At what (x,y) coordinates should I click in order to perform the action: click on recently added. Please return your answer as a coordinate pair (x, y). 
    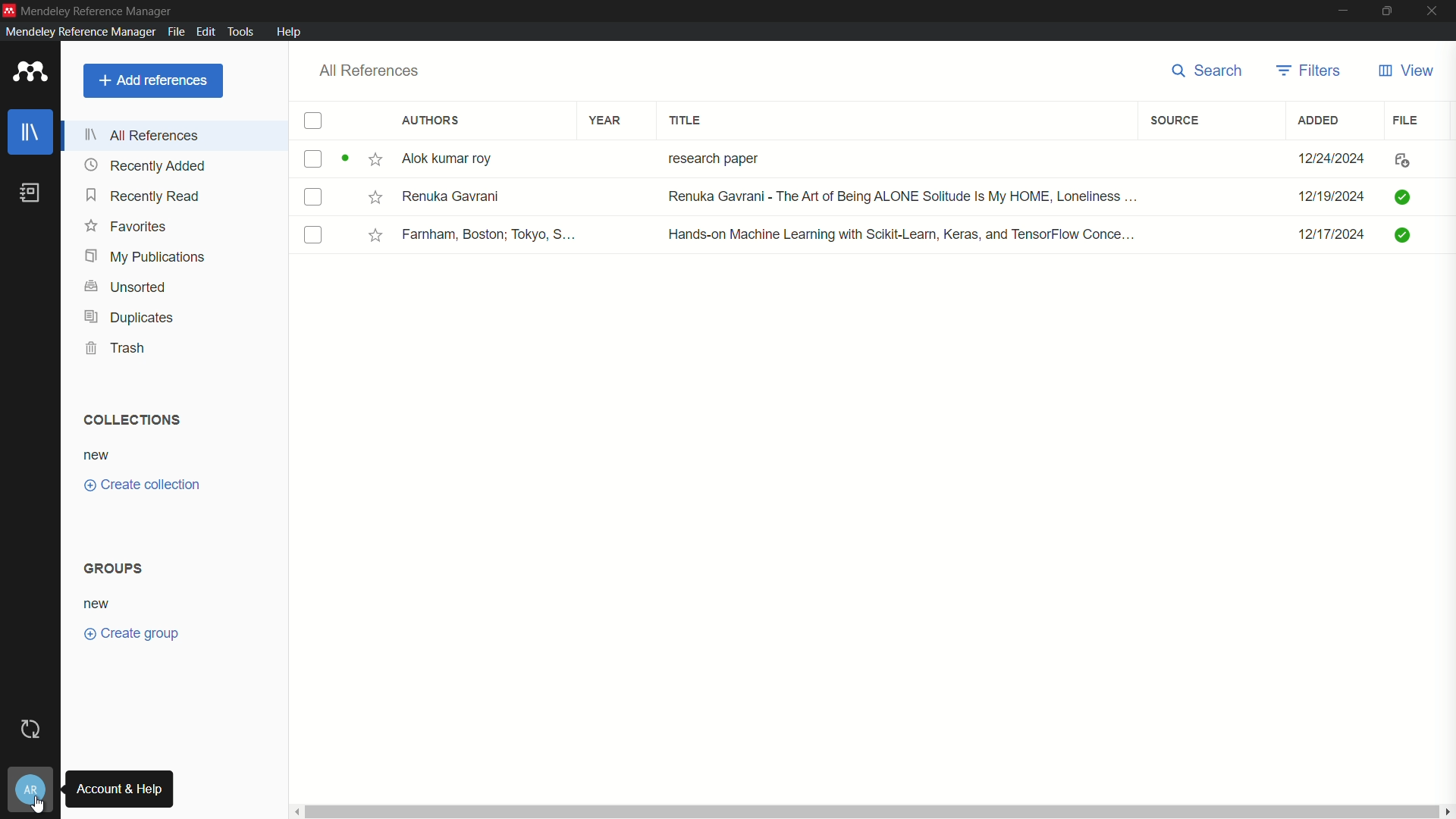
    Looking at the image, I should click on (146, 165).